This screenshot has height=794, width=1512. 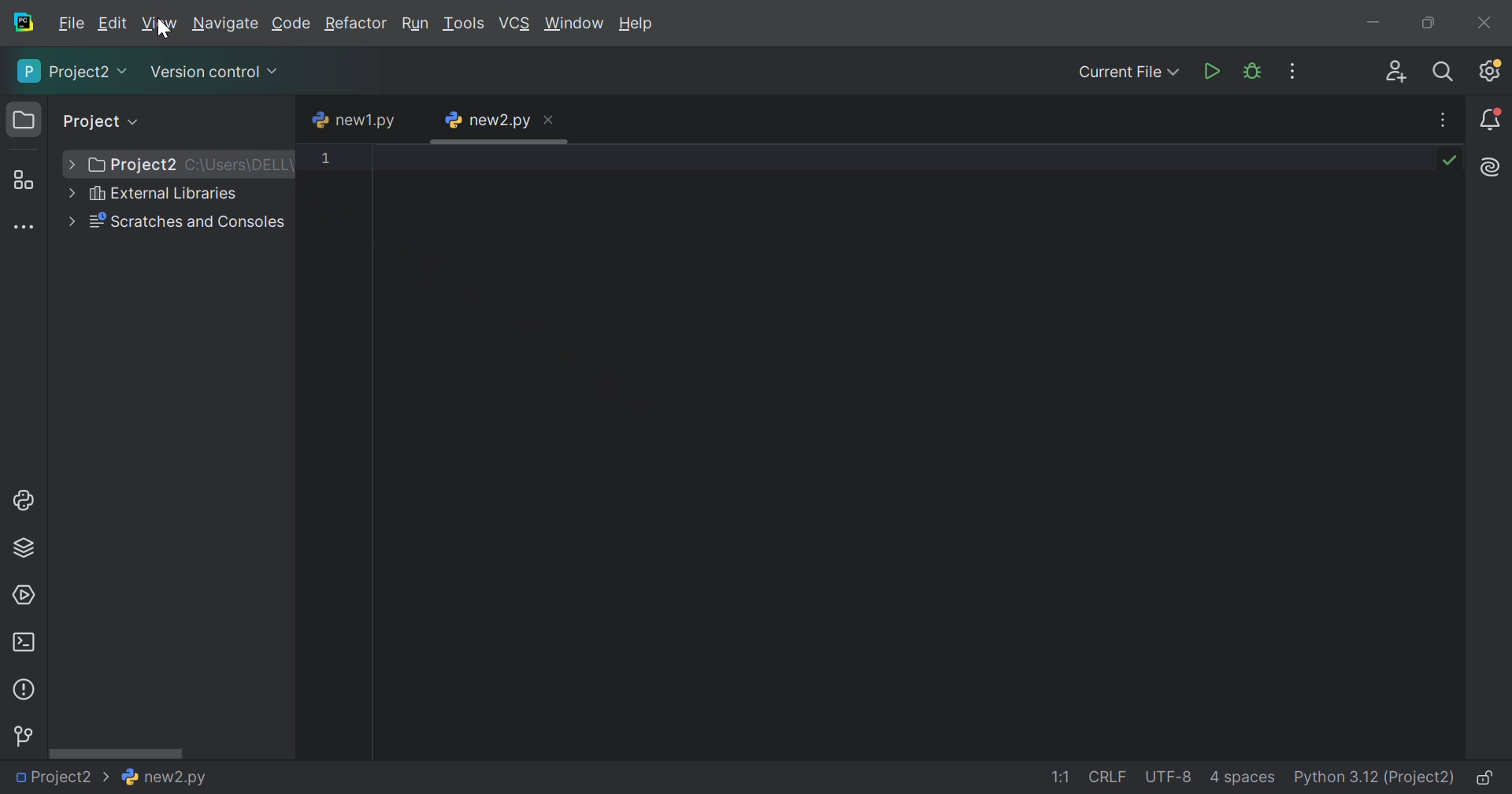 What do you see at coordinates (161, 21) in the screenshot?
I see `View` at bounding box center [161, 21].